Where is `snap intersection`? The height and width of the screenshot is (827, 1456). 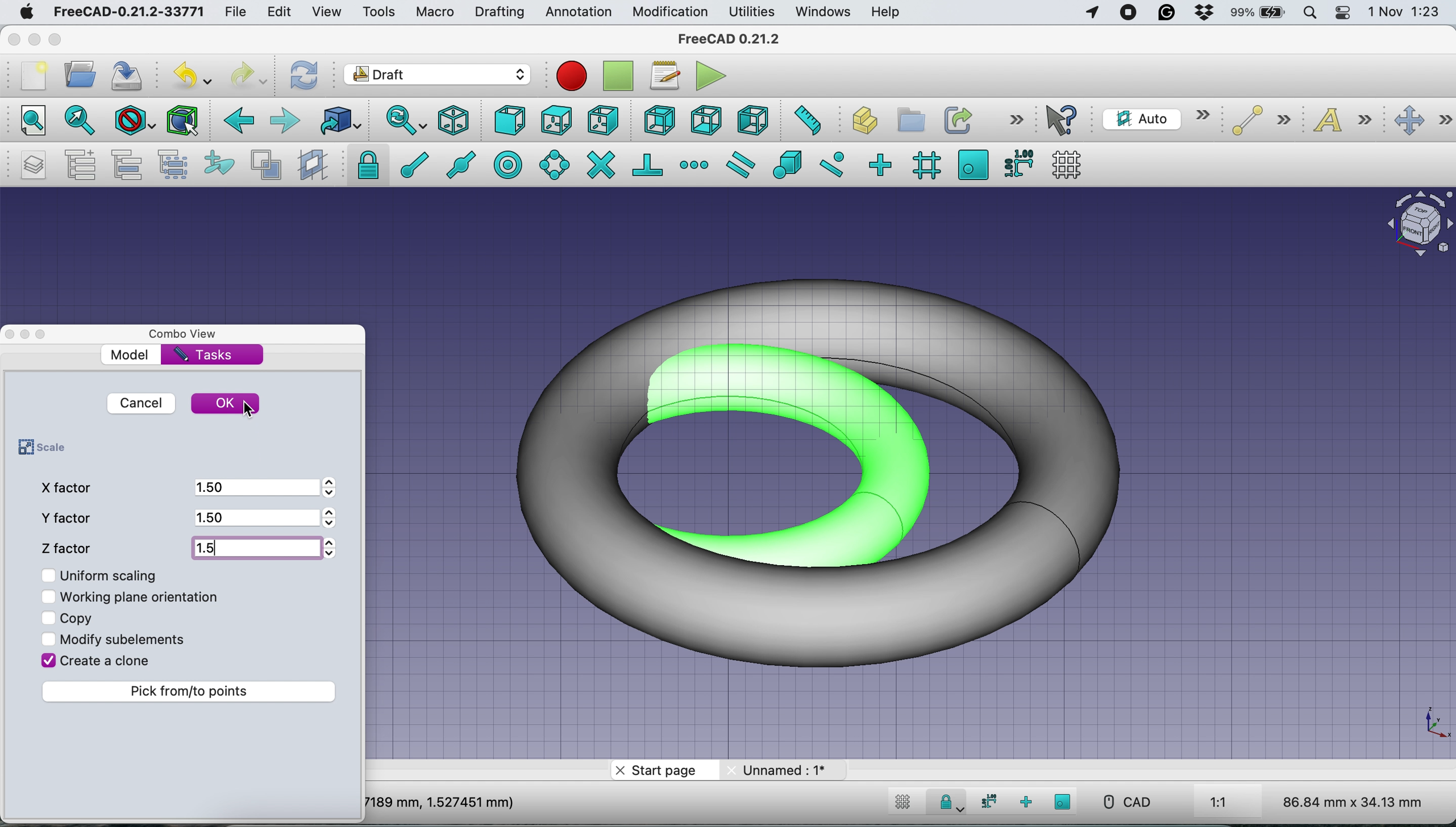 snap intersection is located at coordinates (600, 165).